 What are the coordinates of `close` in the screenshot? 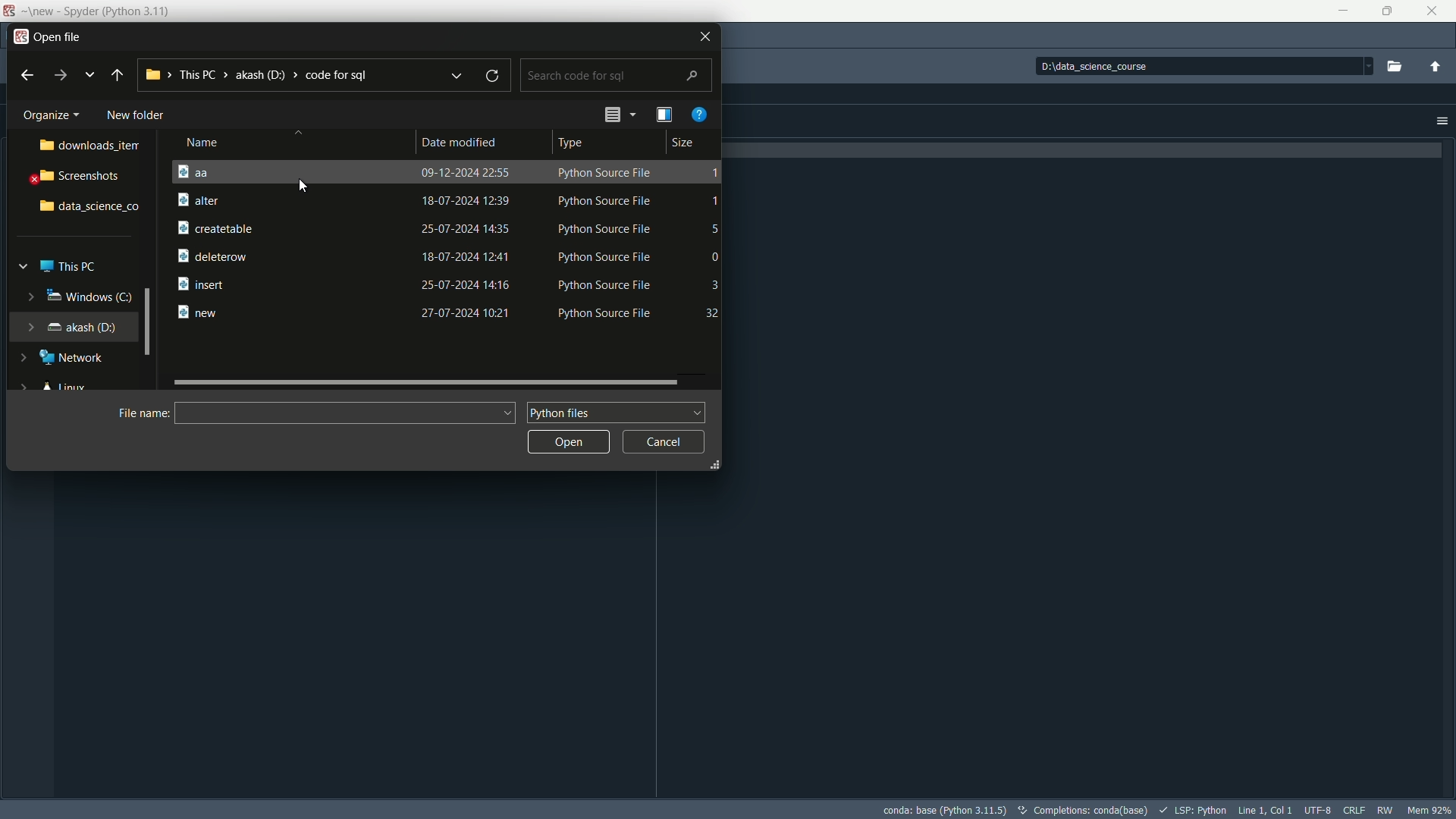 It's located at (698, 37).